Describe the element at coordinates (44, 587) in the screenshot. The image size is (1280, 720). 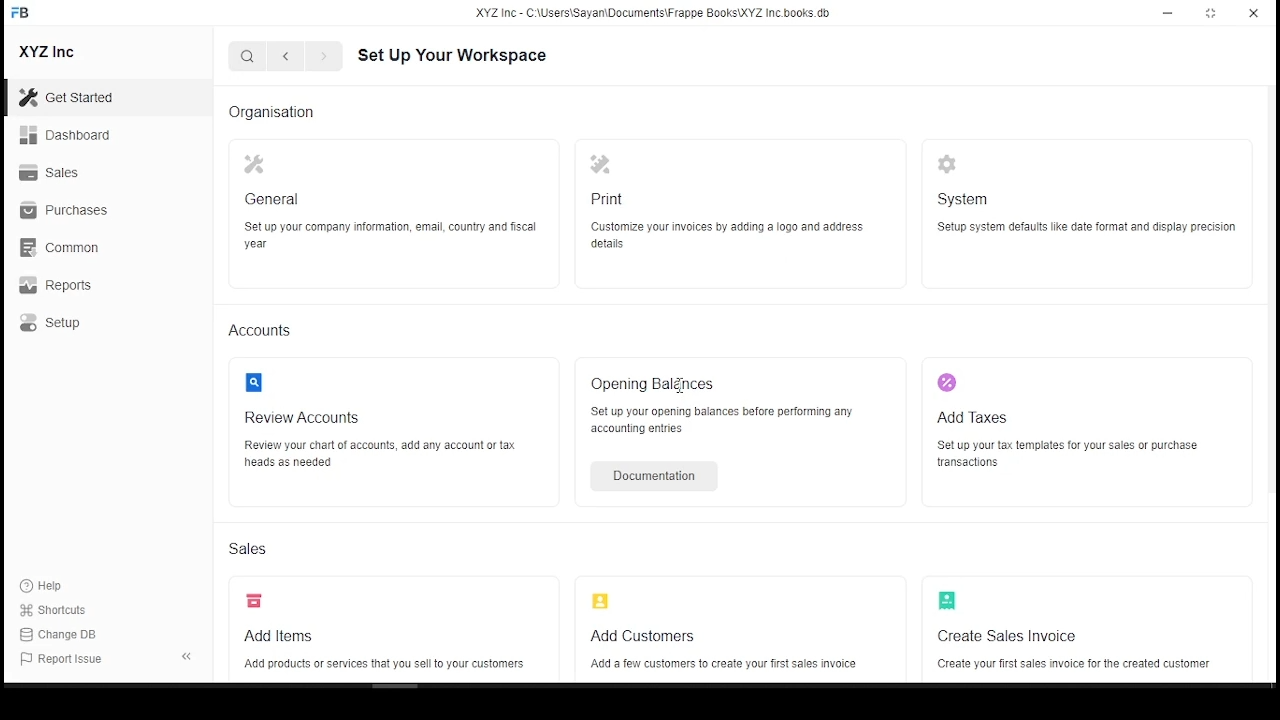
I see `Help` at that location.